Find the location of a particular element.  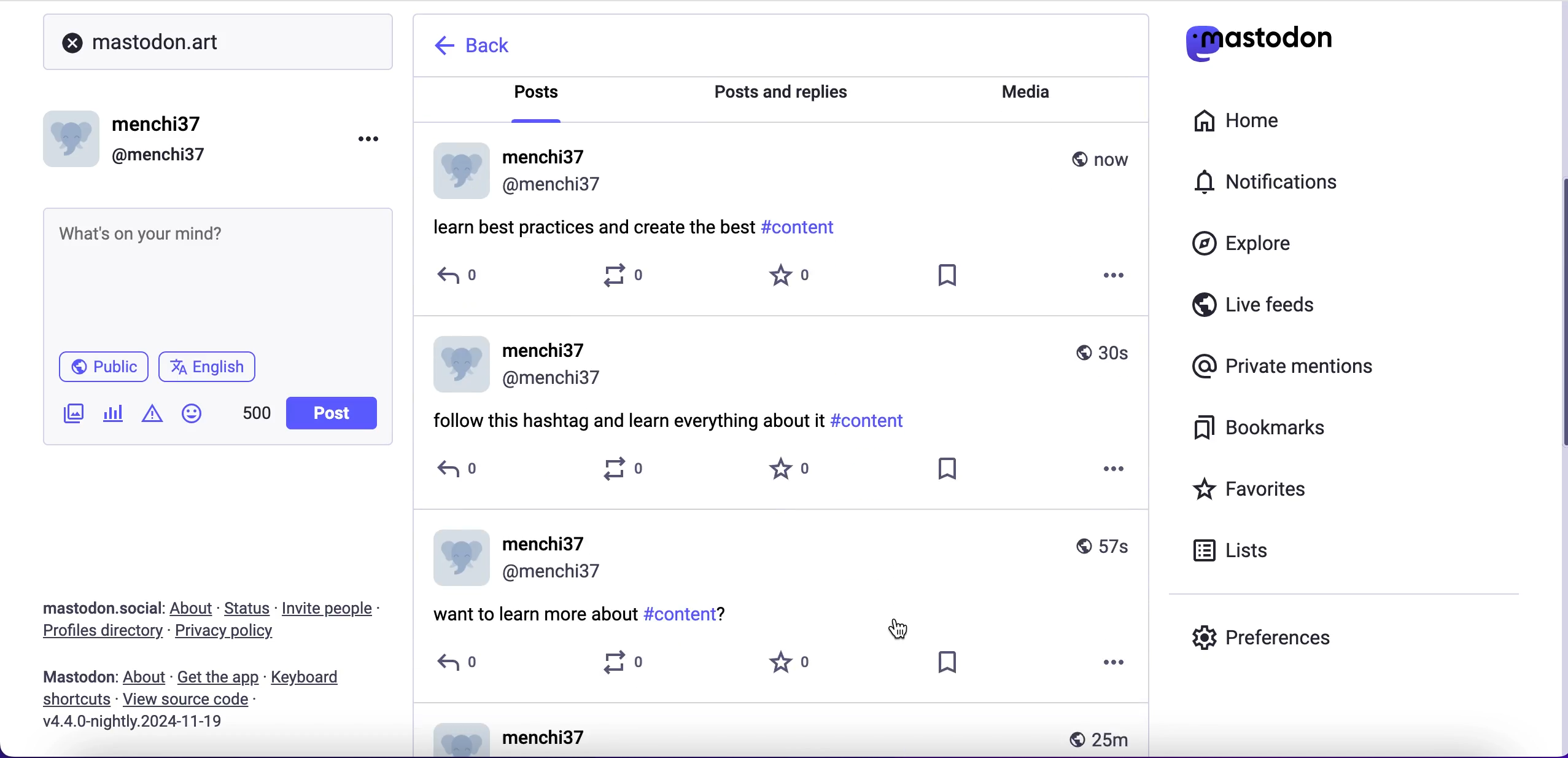

user is located at coordinates (556, 555).